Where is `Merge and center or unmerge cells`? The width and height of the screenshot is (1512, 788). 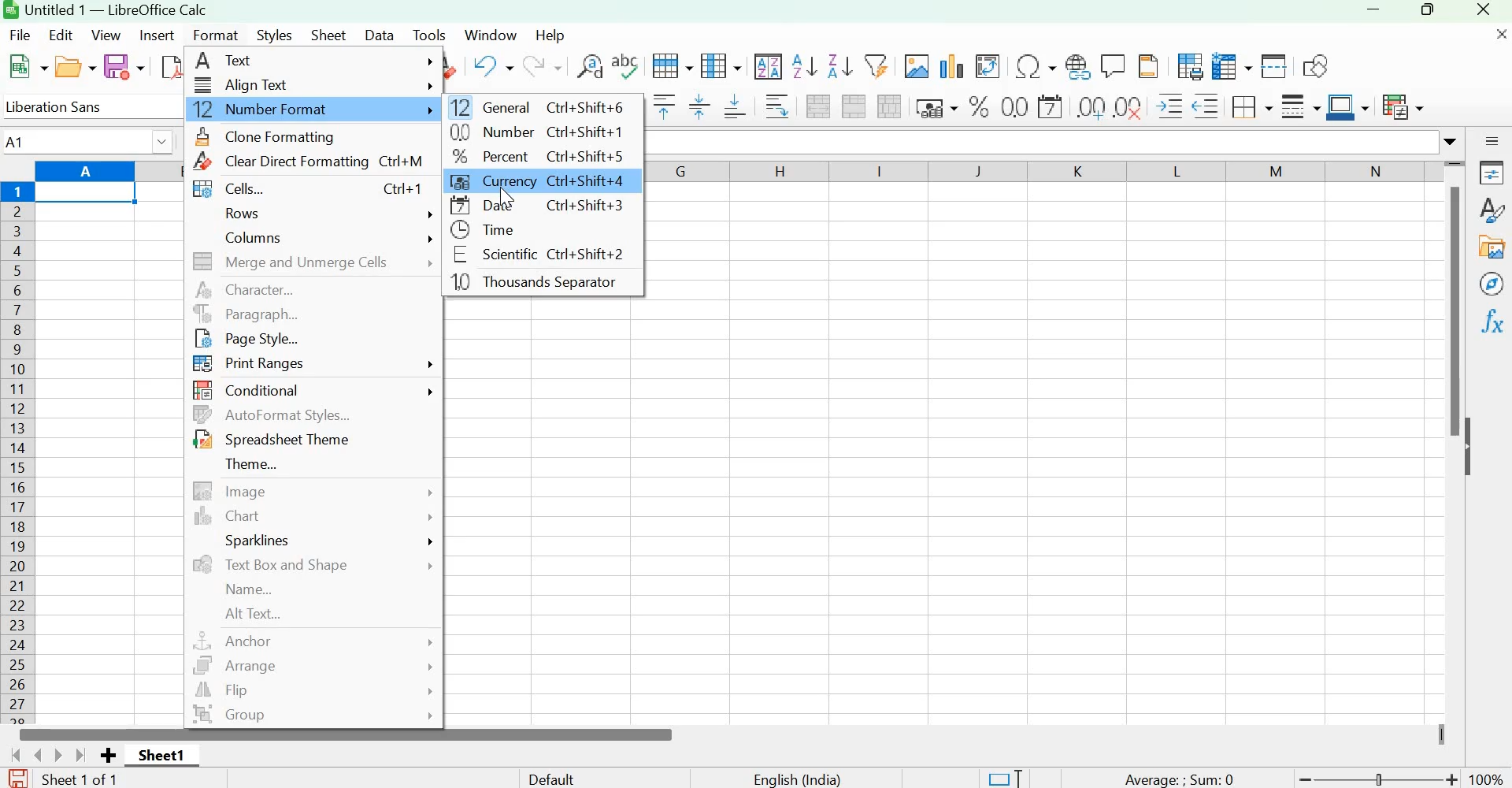 Merge and center or unmerge cells is located at coordinates (820, 106).